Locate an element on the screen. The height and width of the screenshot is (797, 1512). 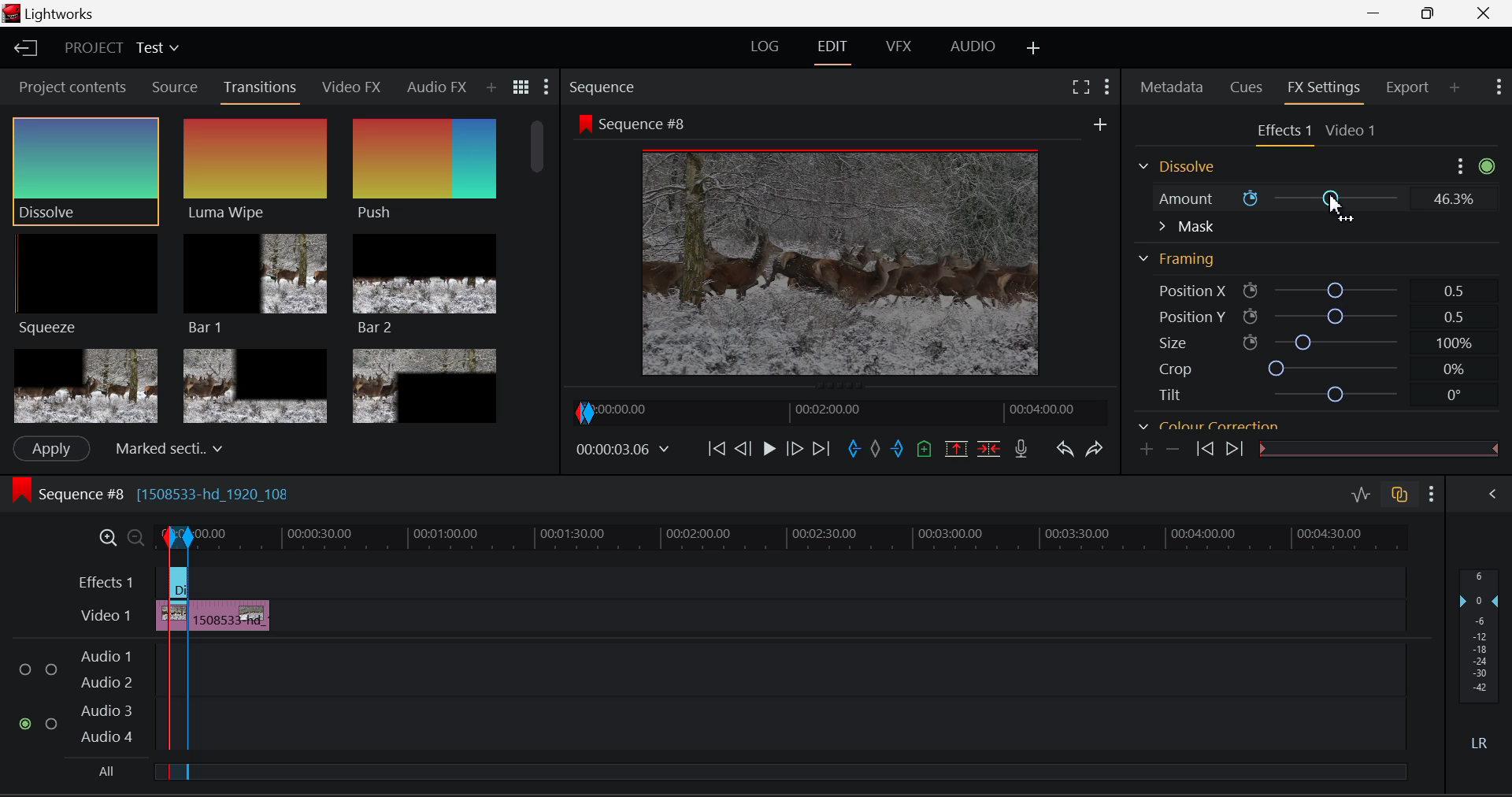
Record Voiceover is located at coordinates (1022, 449).